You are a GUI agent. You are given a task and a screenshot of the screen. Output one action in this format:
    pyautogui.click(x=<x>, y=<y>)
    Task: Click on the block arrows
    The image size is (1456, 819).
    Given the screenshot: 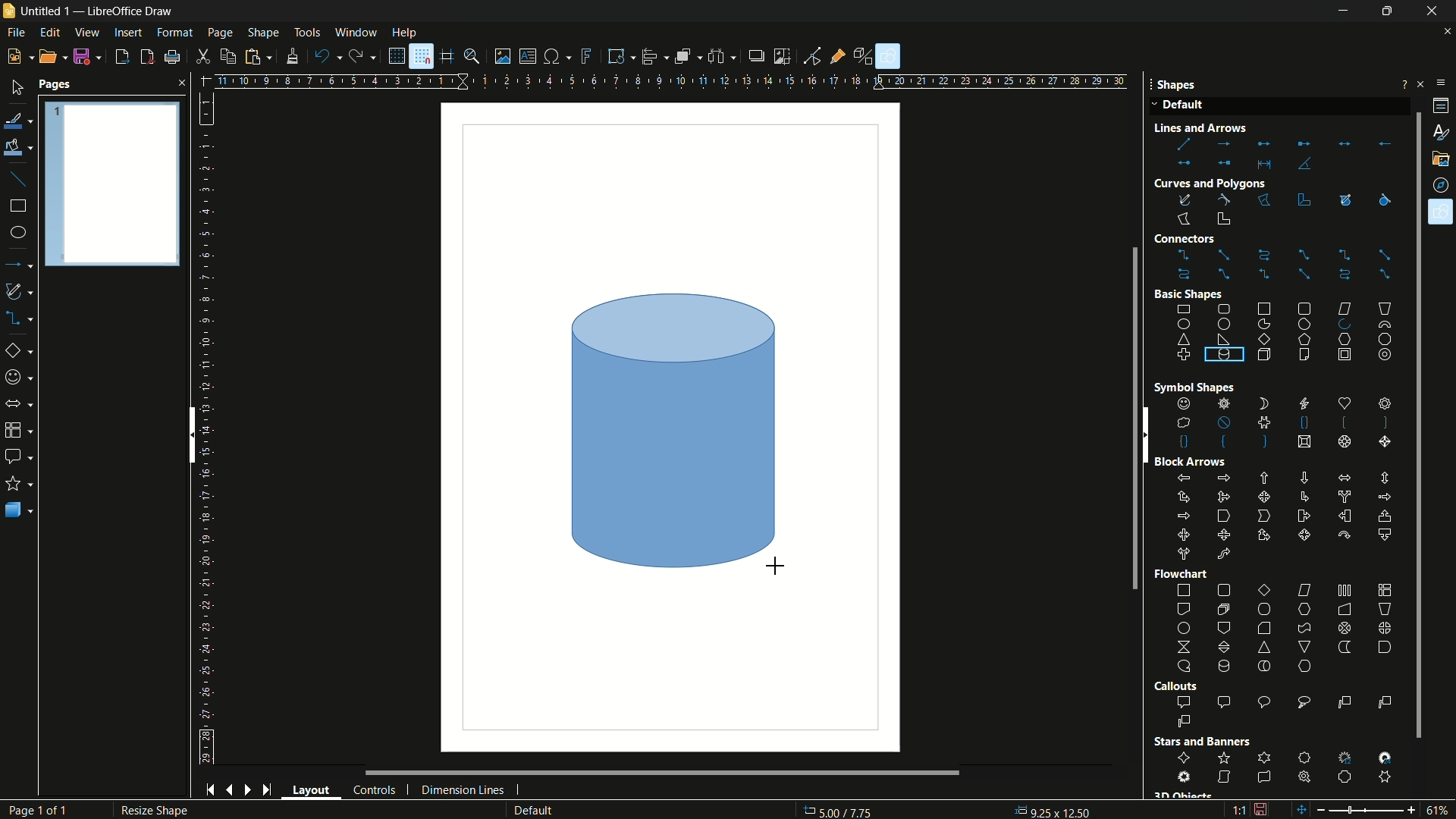 What is the action you would take?
    pyautogui.click(x=20, y=403)
    